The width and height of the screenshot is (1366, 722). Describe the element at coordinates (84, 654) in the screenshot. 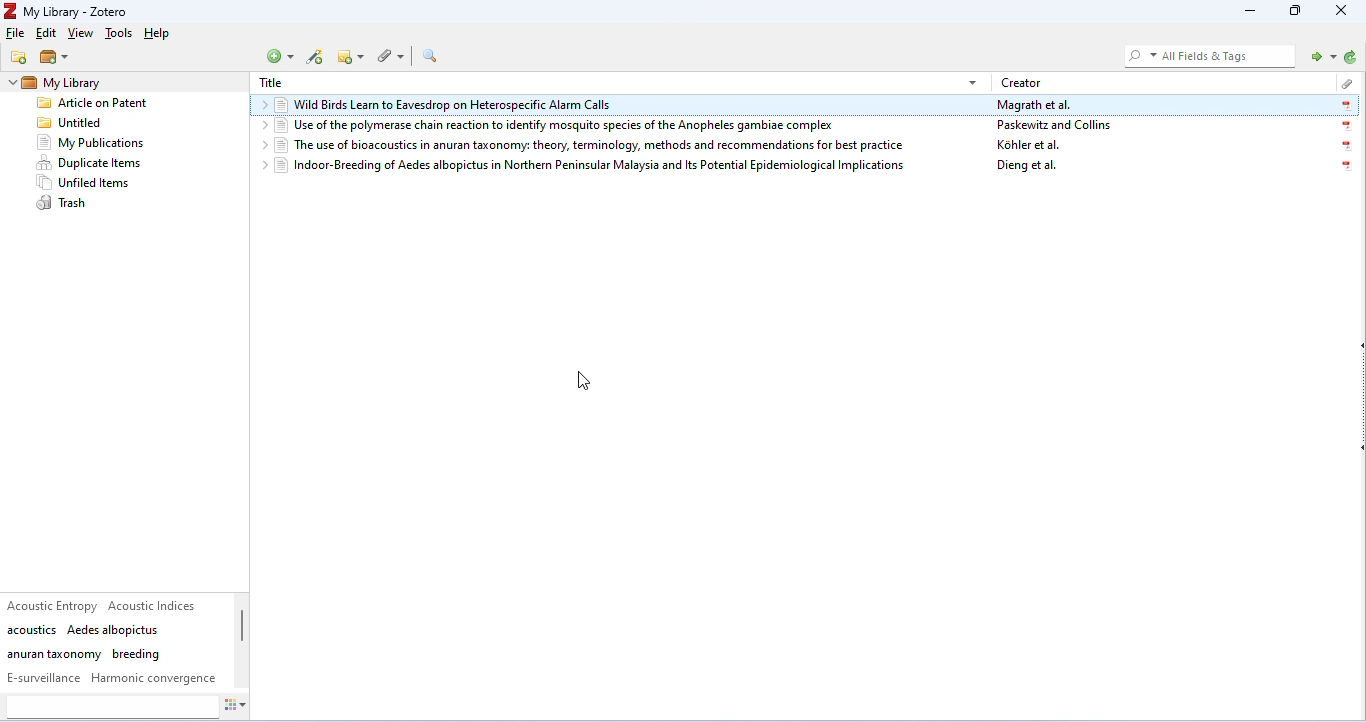

I see `anuran taxonomy Dreeding` at that location.